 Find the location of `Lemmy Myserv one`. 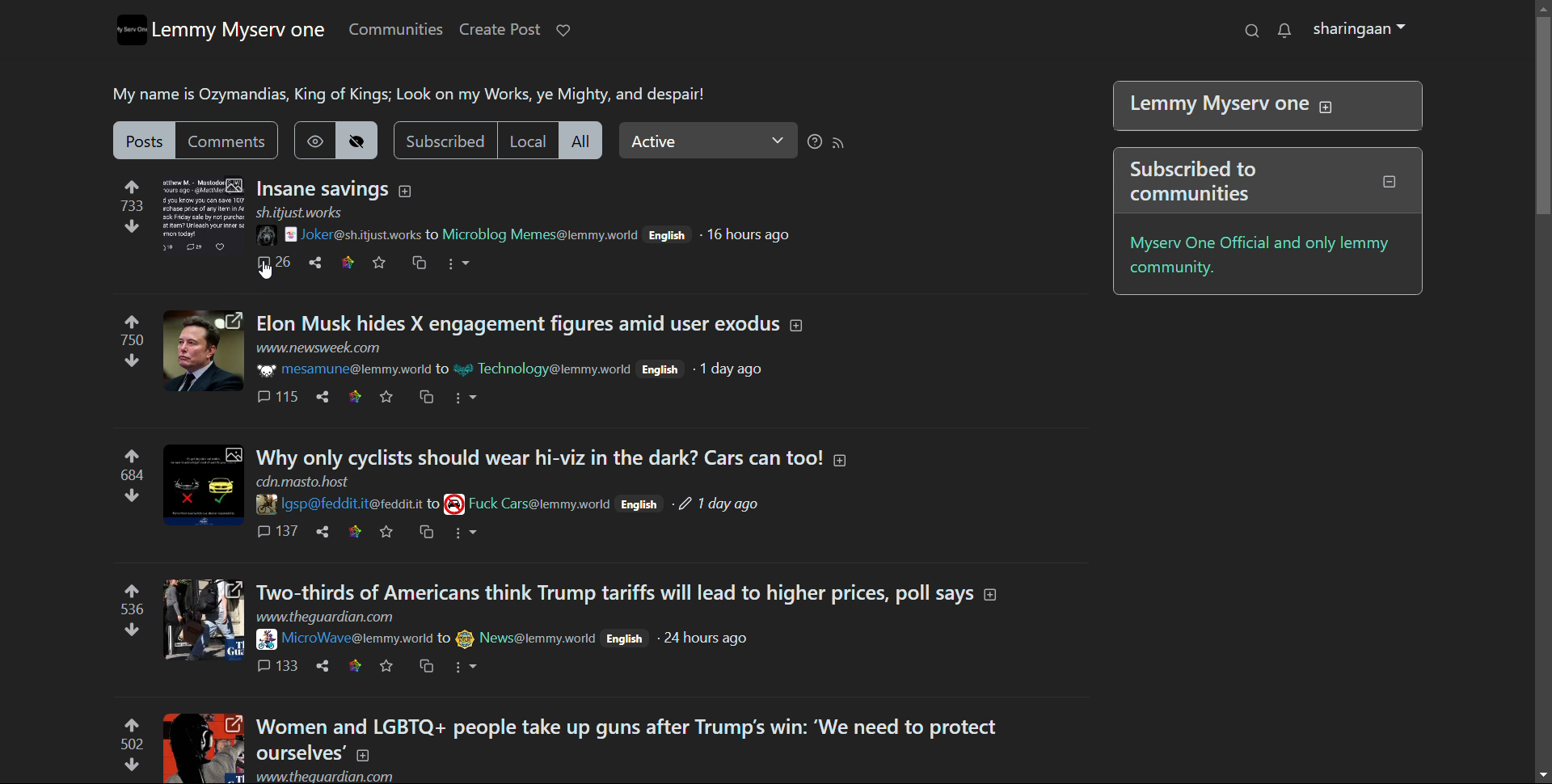

Lemmy Myserv one is located at coordinates (1217, 103).